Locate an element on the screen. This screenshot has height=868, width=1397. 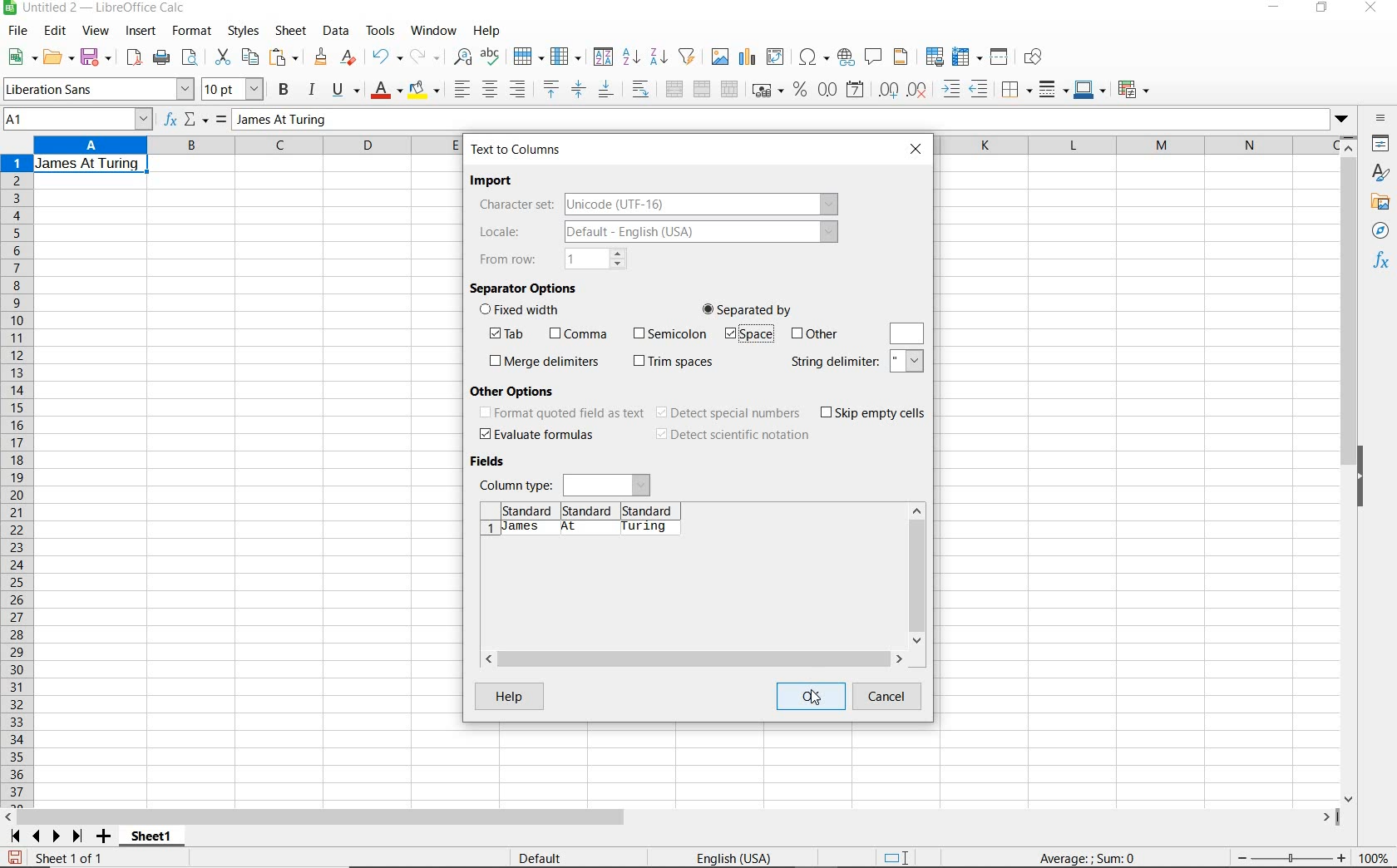
styles is located at coordinates (244, 33).